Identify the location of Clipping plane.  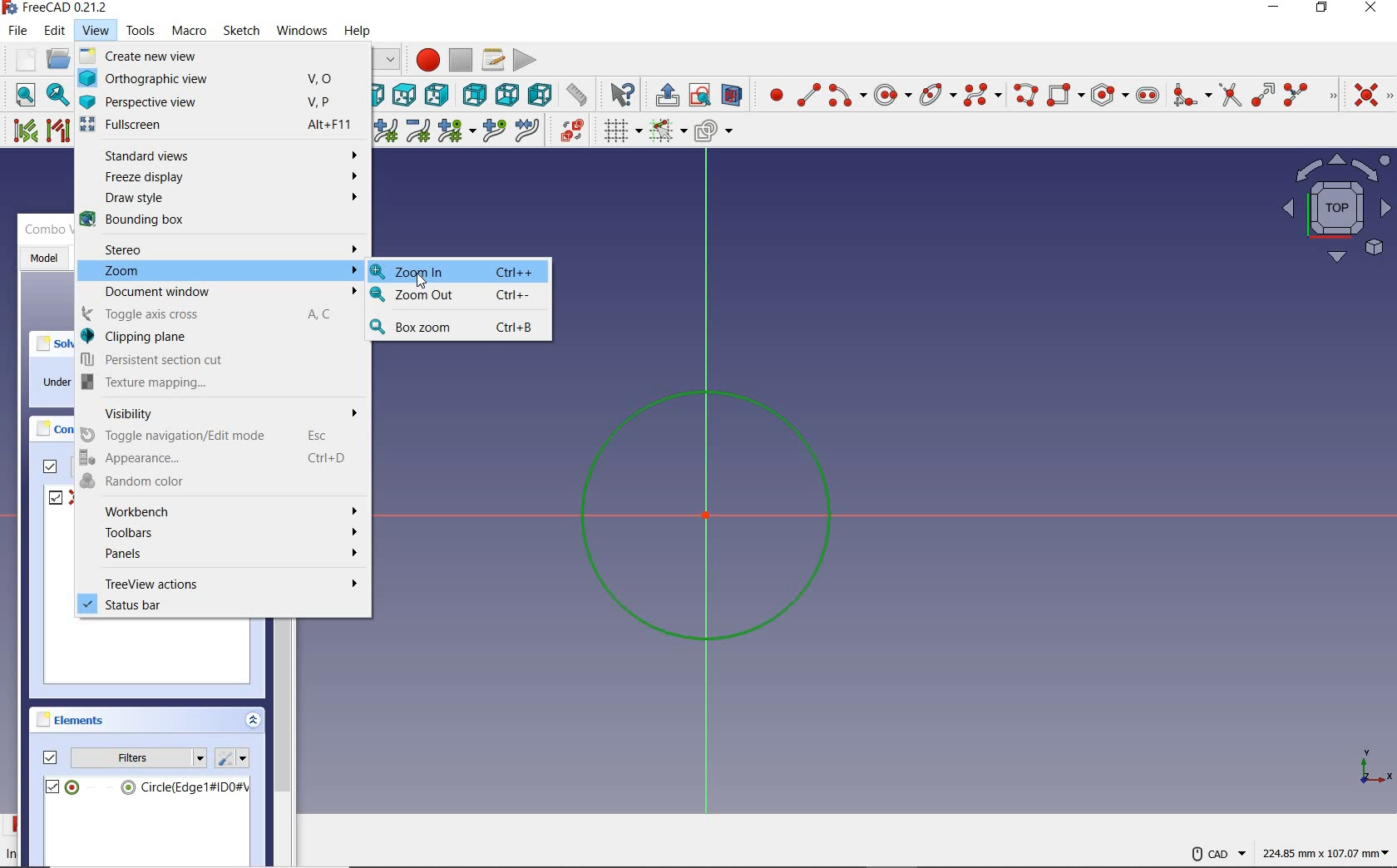
(136, 336).